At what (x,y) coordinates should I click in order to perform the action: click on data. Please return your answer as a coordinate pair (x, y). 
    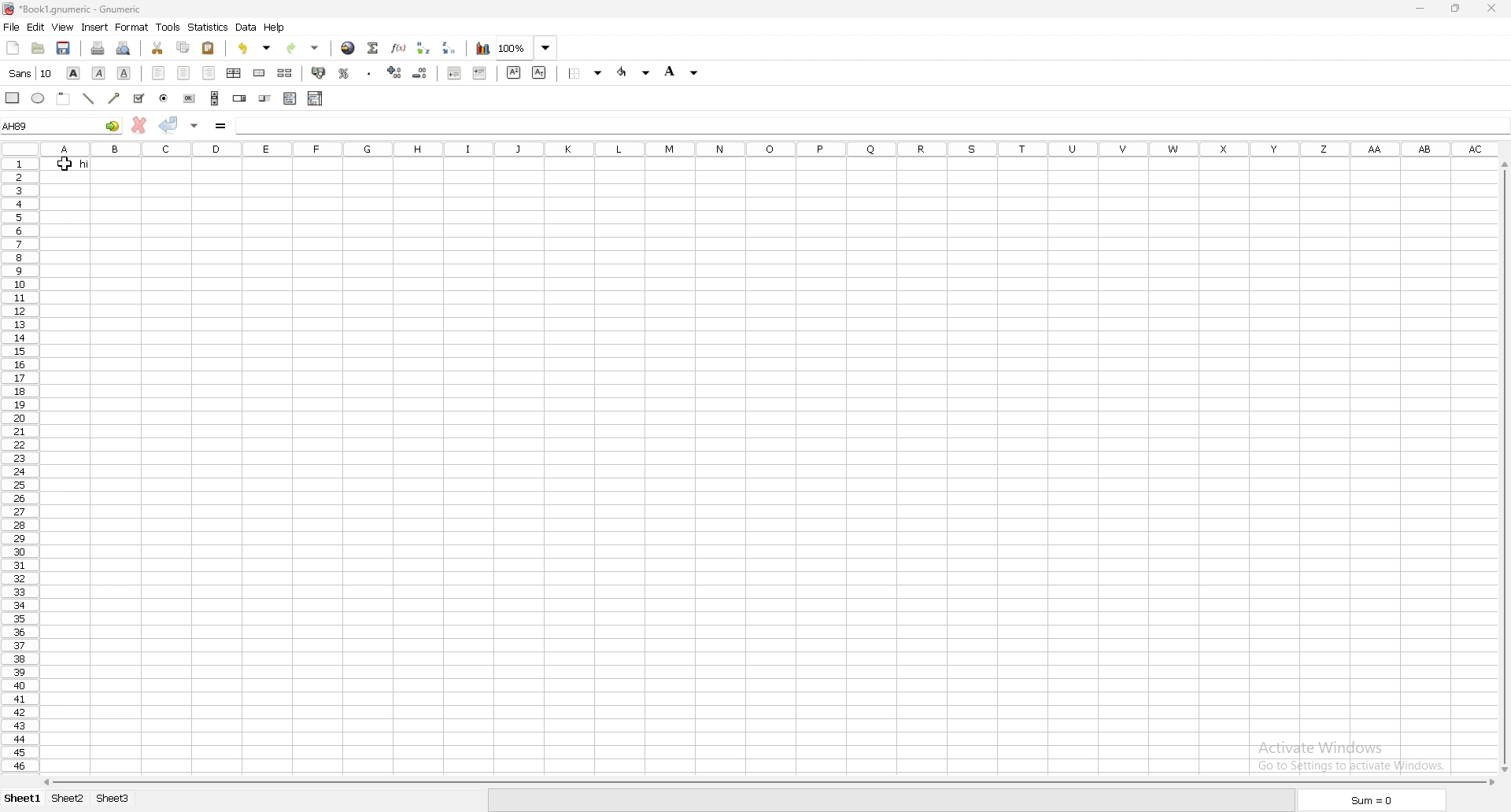
    Looking at the image, I should click on (246, 27).